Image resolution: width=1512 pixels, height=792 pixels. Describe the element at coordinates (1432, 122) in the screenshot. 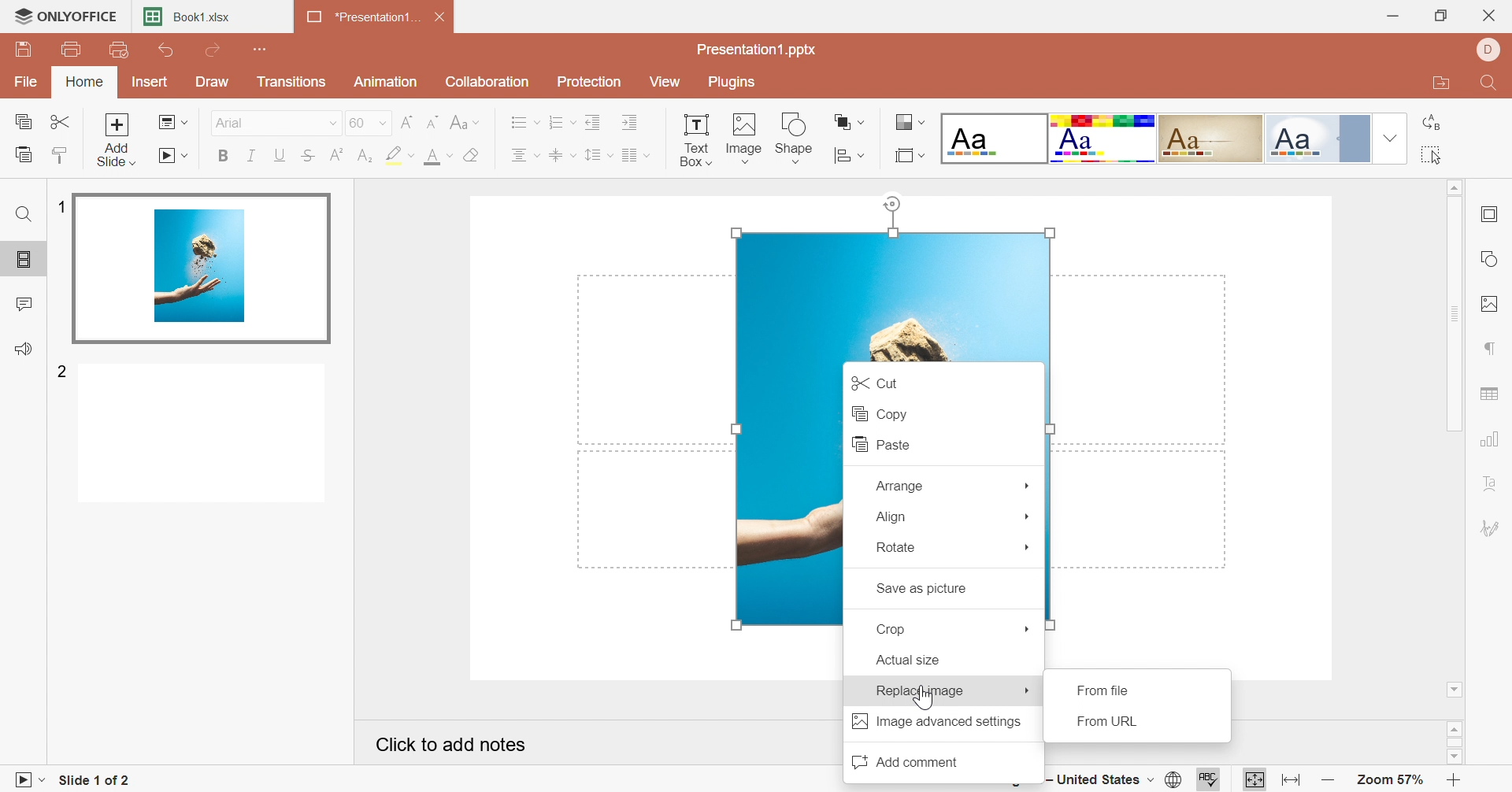

I see `Replace` at that location.